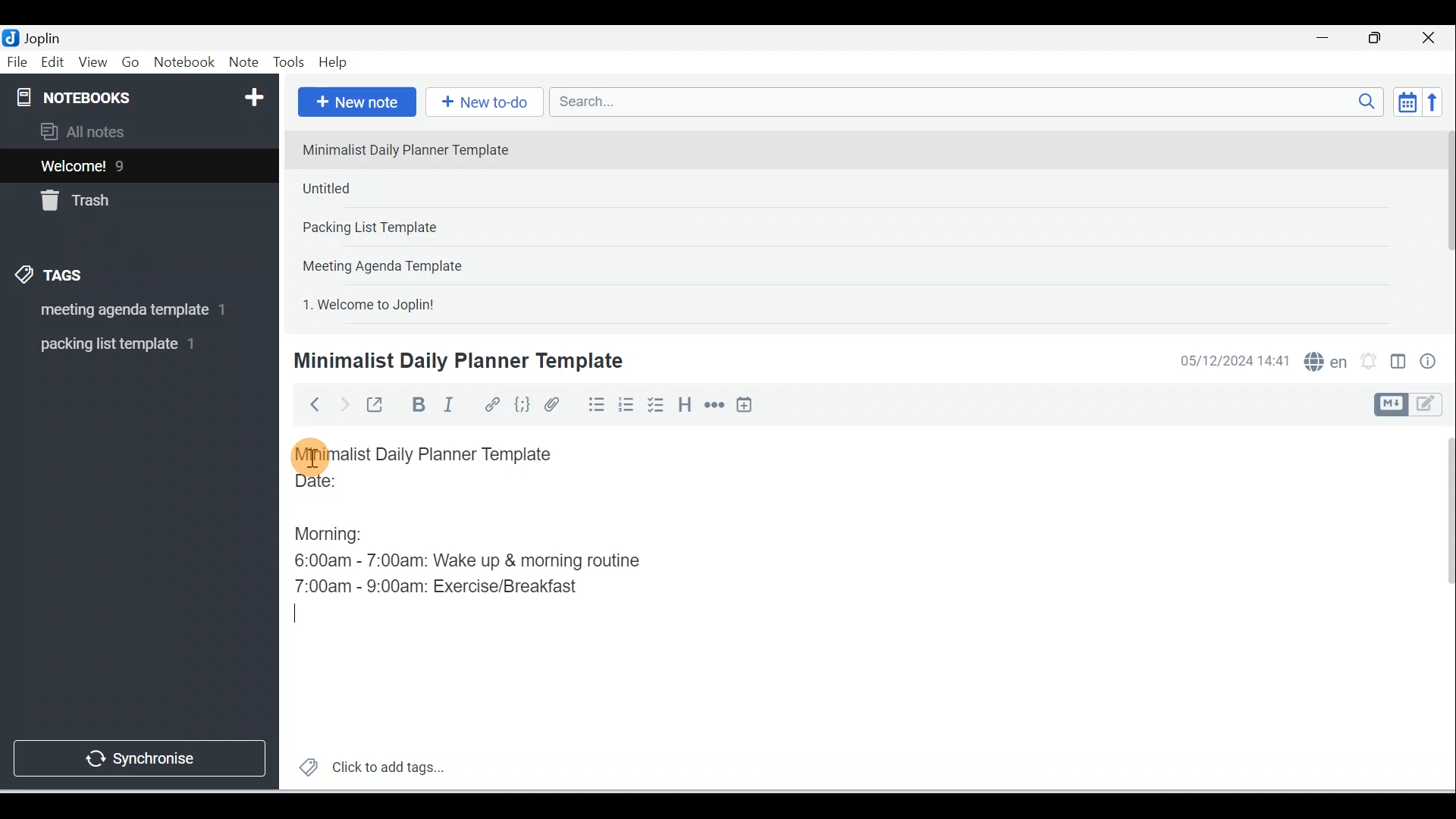 The image size is (1456, 819). I want to click on Heading, so click(684, 403).